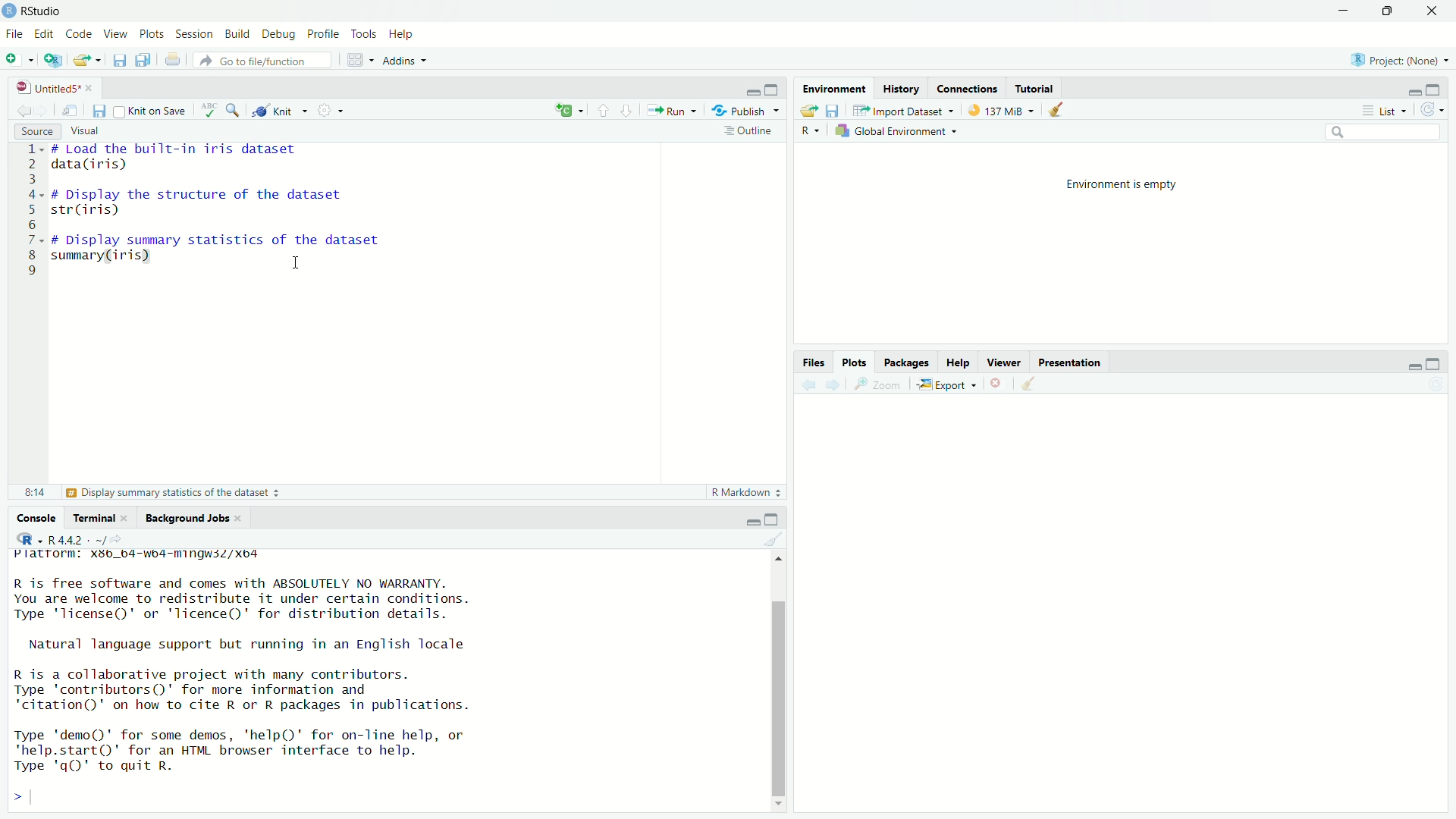  What do you see at coordinates (1035, 86) in the screenshot?
I see `Tutorial` at bounding box center [1035, 86].